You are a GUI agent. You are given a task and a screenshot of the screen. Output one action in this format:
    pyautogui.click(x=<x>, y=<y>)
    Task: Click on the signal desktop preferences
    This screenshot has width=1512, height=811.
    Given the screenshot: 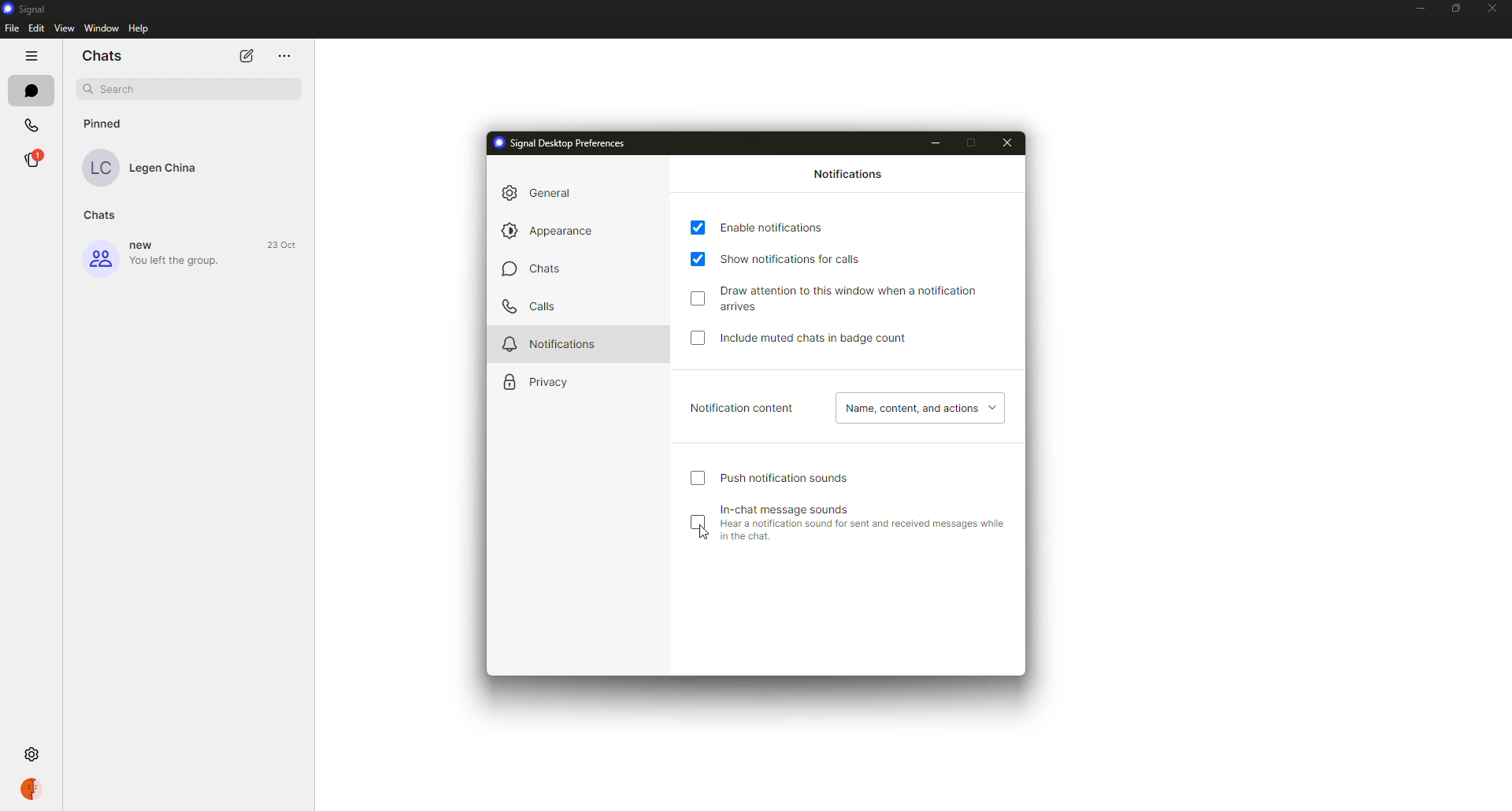 What is the action you would take?
    pyautogui.click(x=561, y=143)
    